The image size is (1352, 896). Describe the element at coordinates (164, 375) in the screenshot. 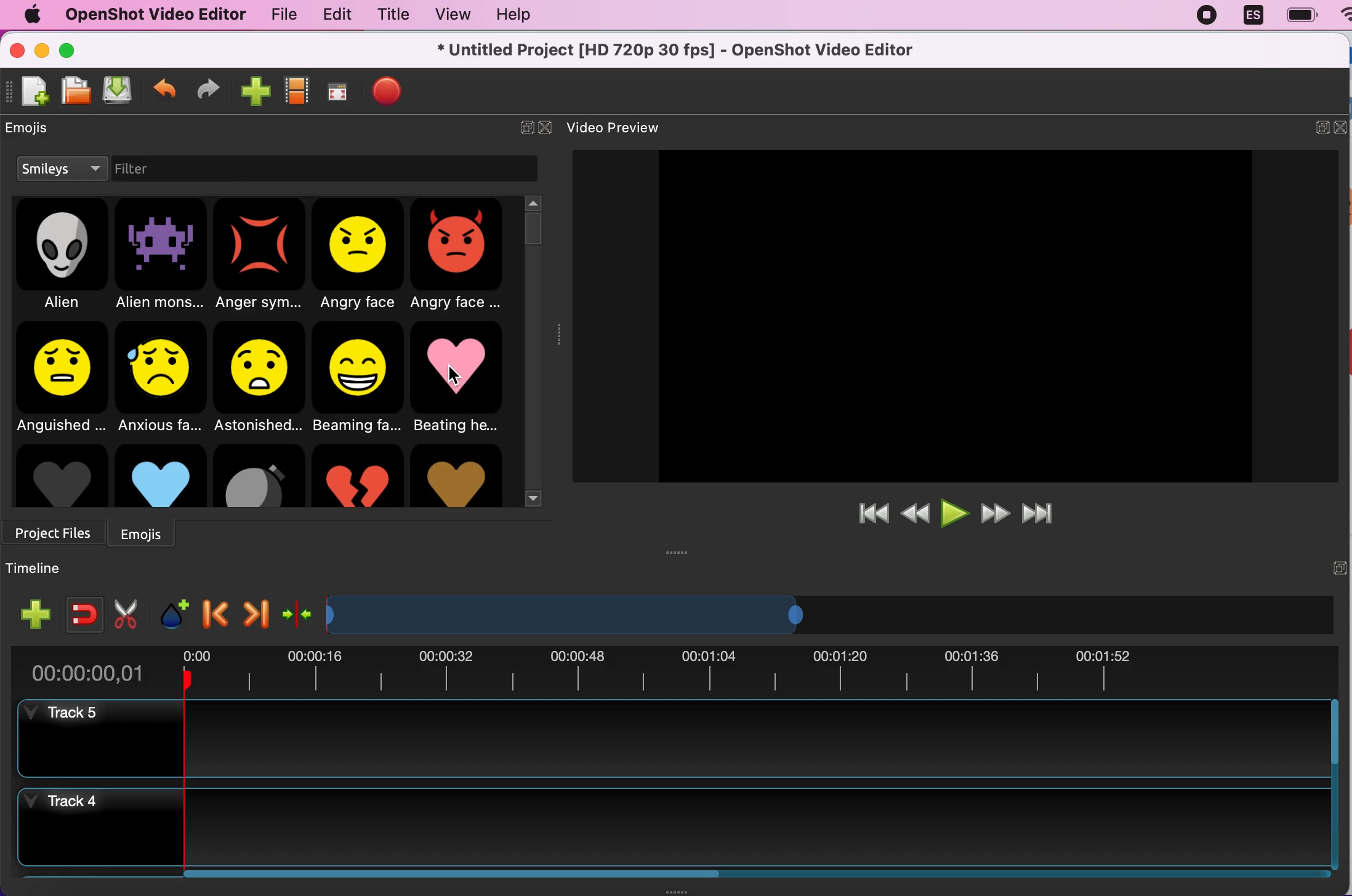

I see `anxious` at that location.